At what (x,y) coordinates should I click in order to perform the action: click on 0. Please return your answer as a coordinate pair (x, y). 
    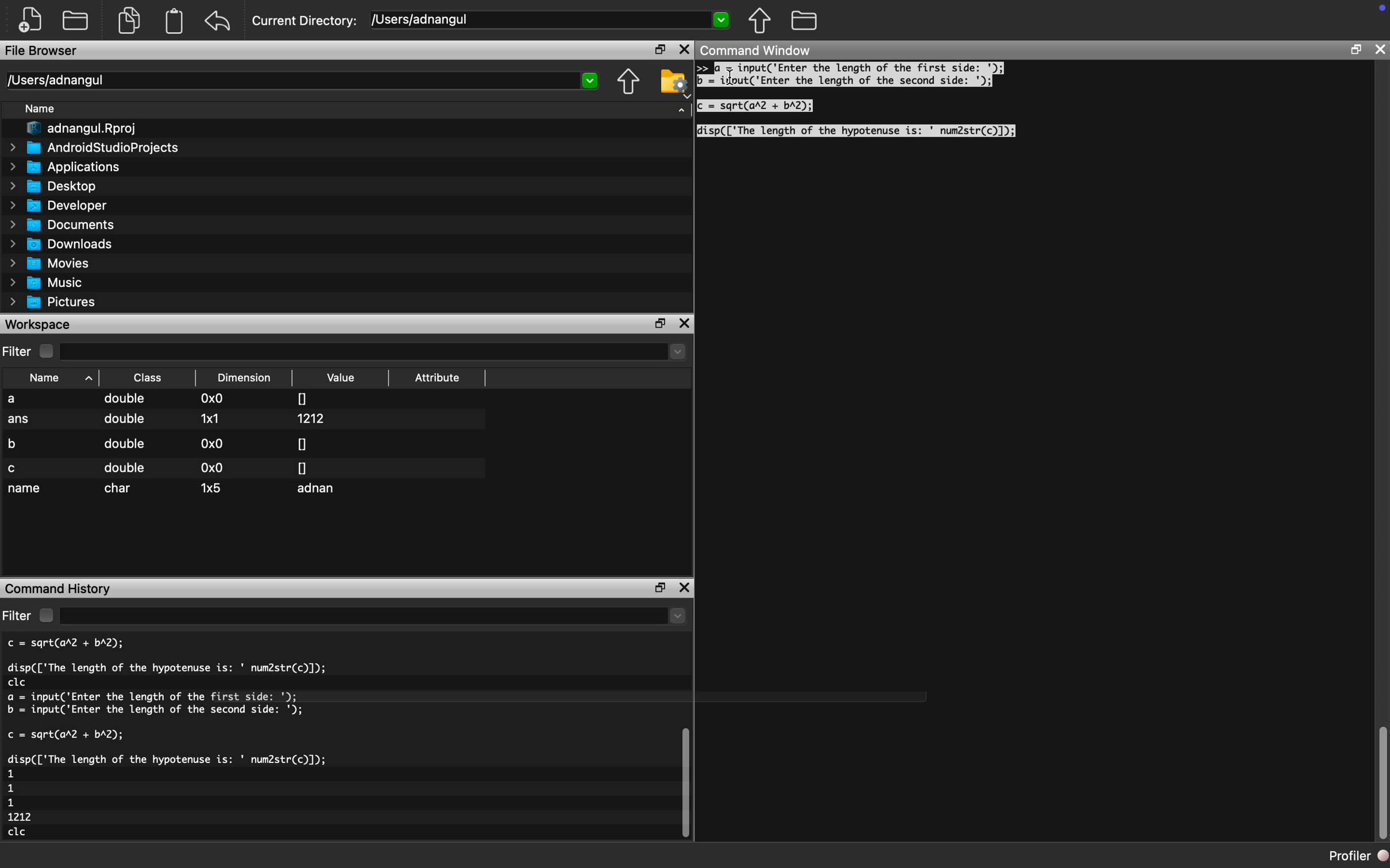
    Looking at the image, I should click on (303, 467).